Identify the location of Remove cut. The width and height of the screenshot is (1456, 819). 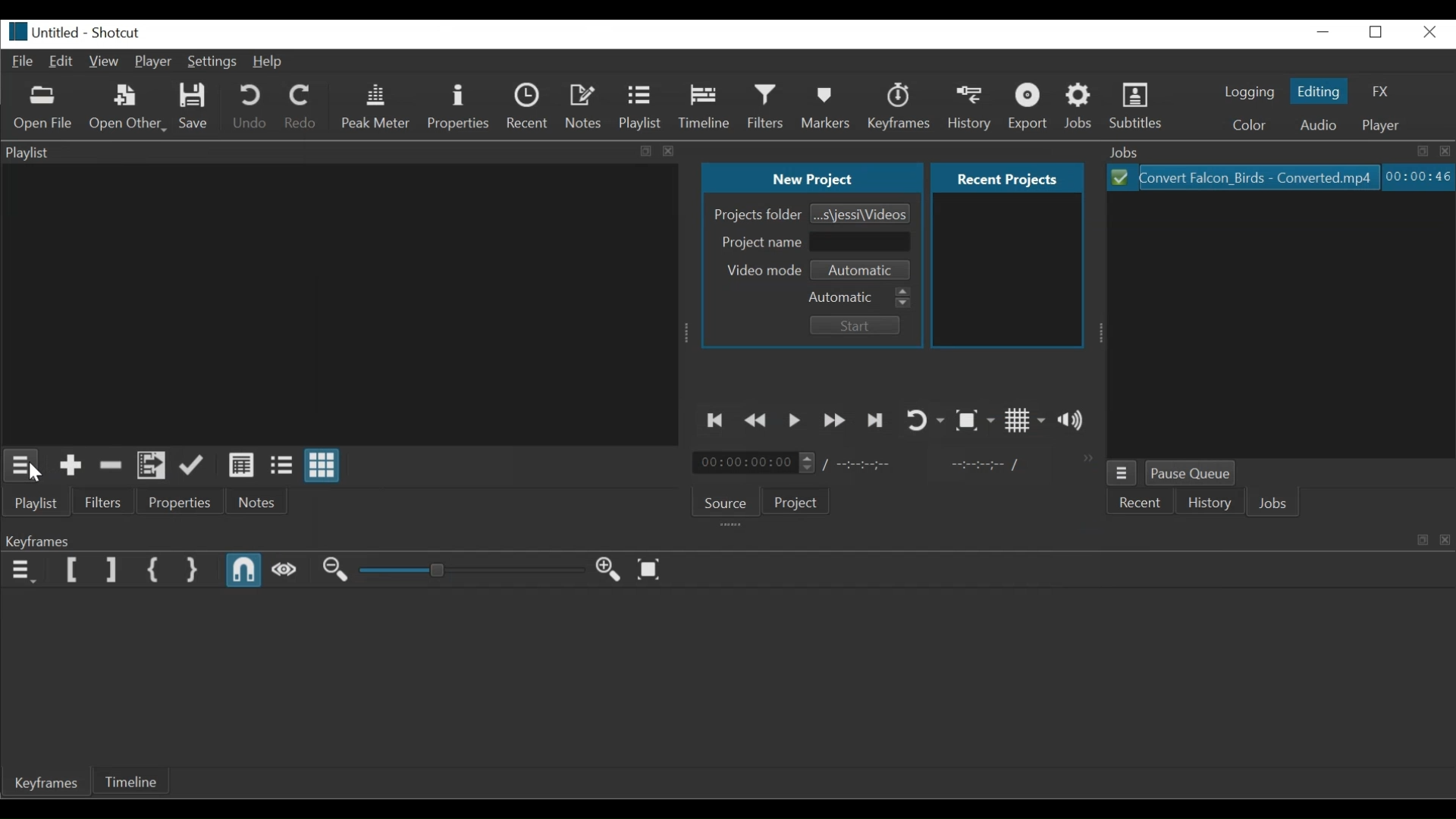
(111, 465).